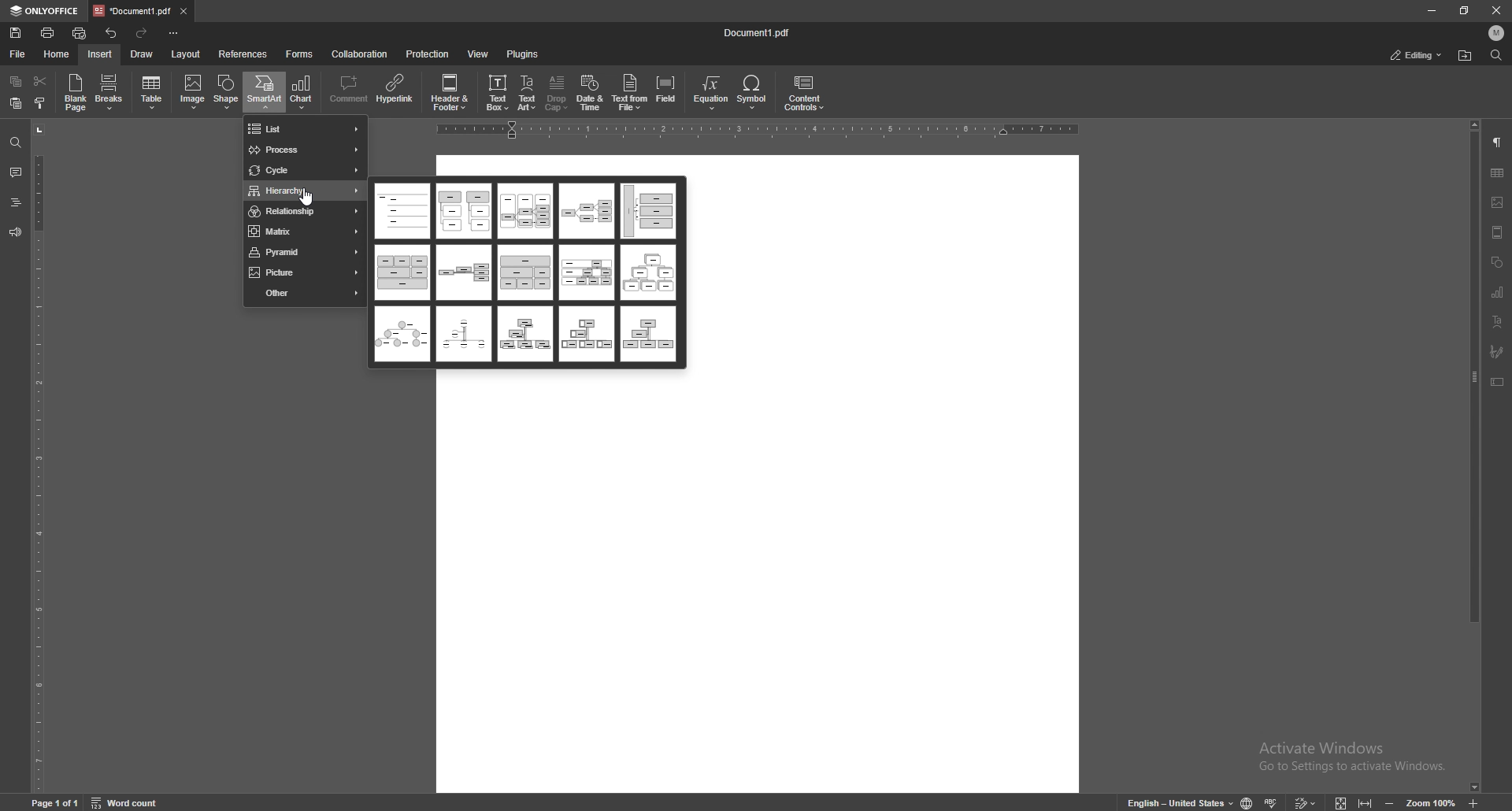 Image resolution: width=1512 pixels, height=811 pixels. I want to click on hierarchy smart art, so click(524, 334).